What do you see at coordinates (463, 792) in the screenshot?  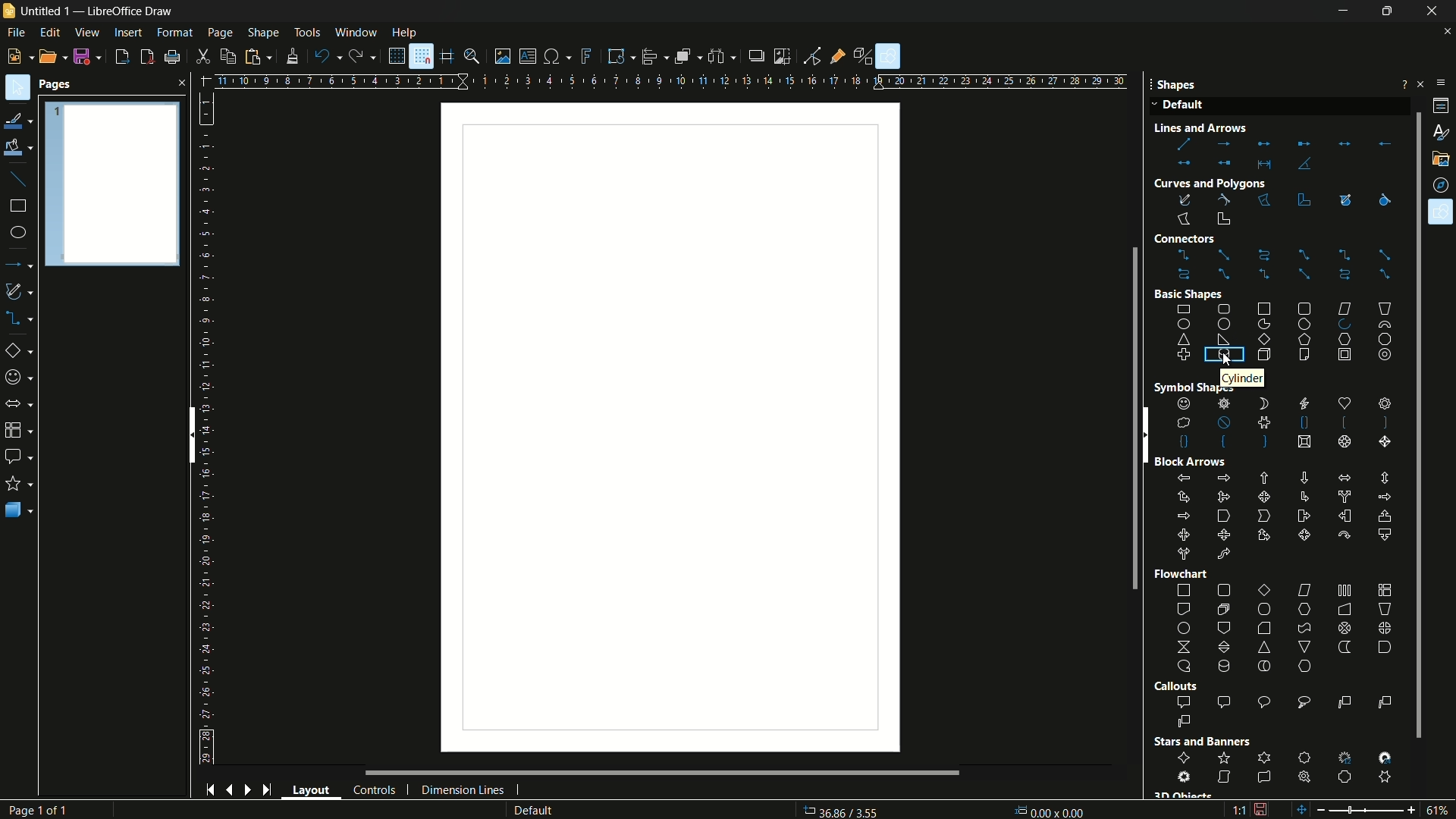 I see `dimension lines` at bounding box center [463, 792].